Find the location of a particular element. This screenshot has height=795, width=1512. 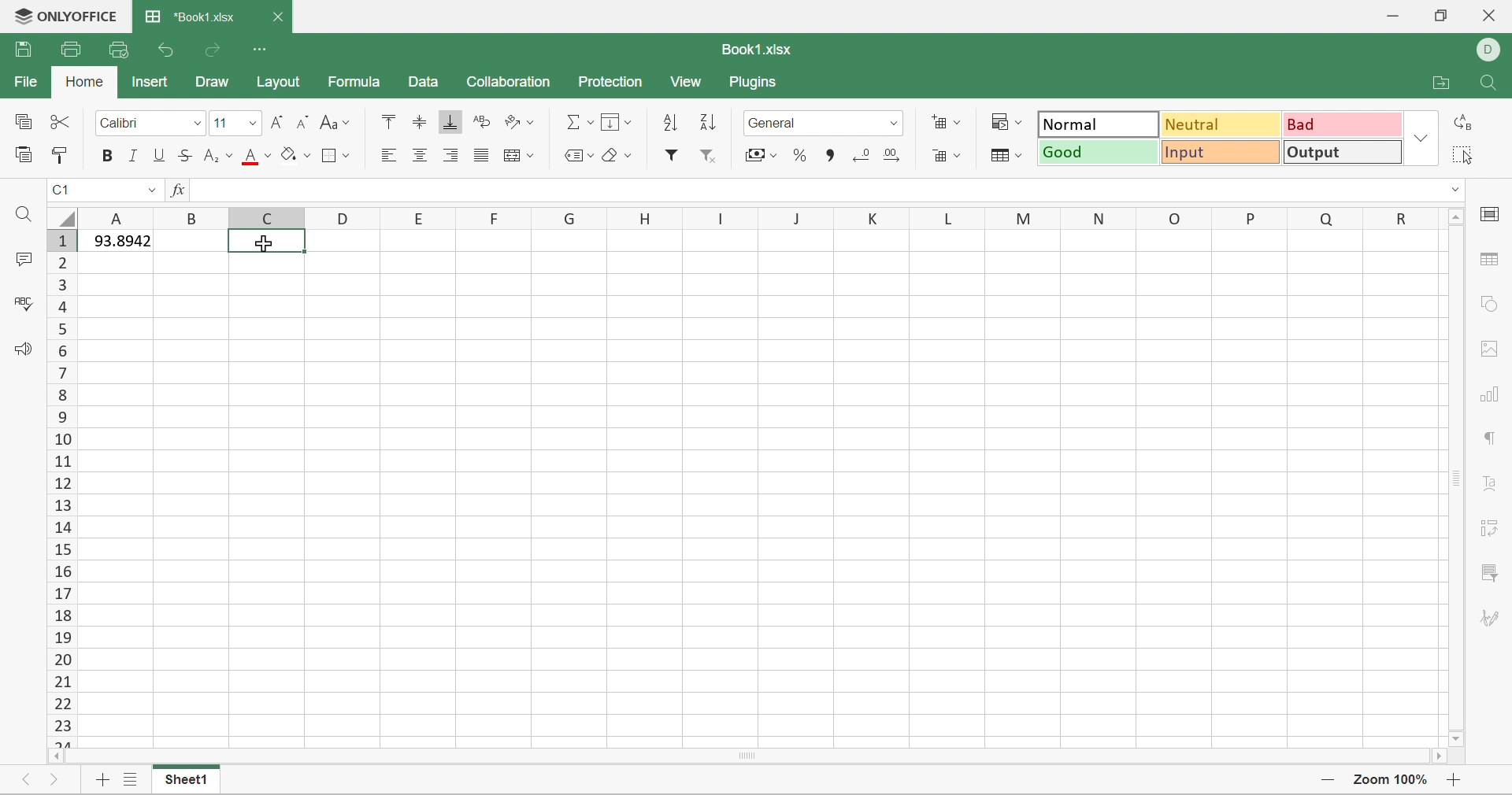

Drop Down is located at coordinates (893, 121).